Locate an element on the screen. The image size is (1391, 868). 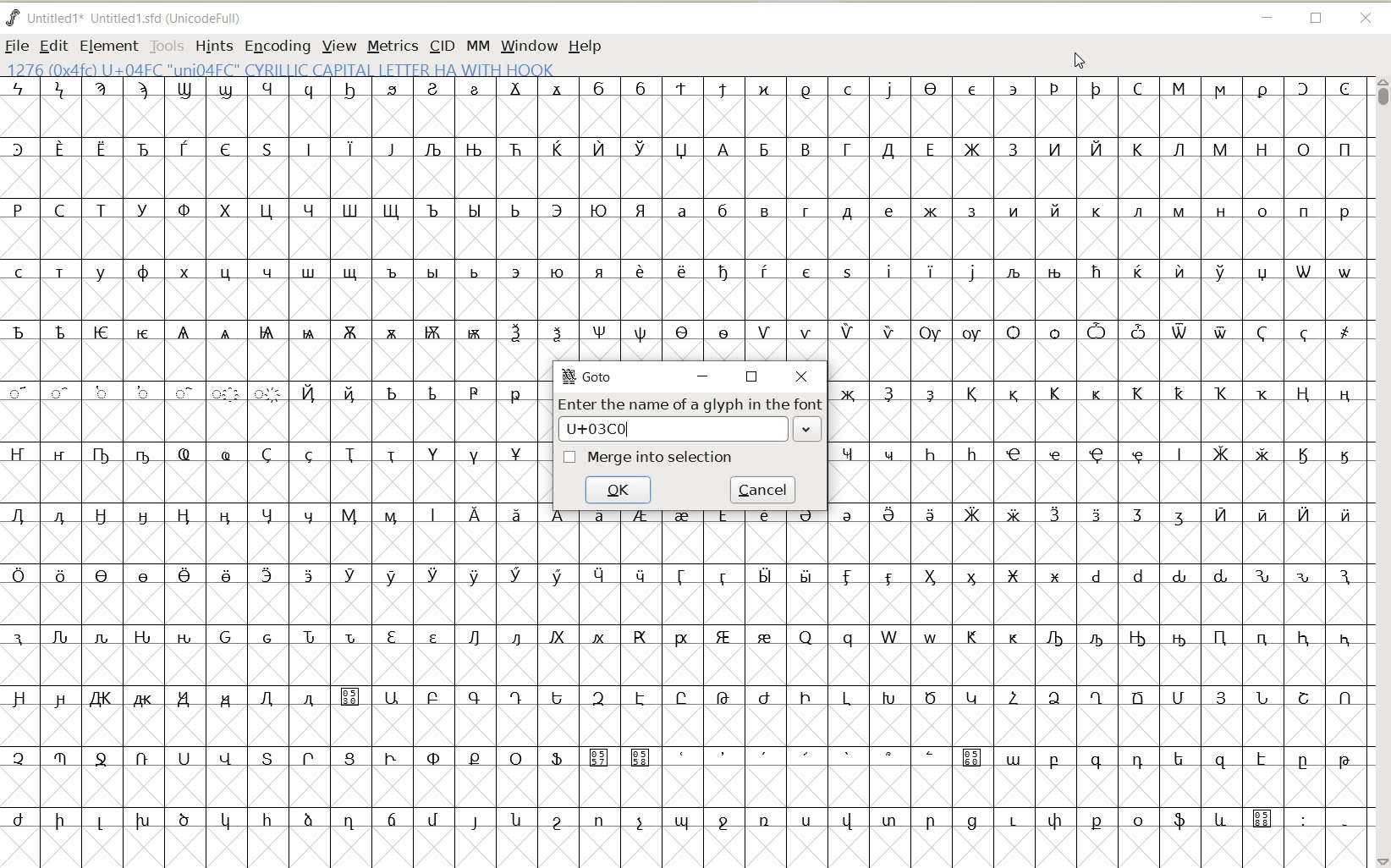
WINDOW is located at coordinates (529, 45).